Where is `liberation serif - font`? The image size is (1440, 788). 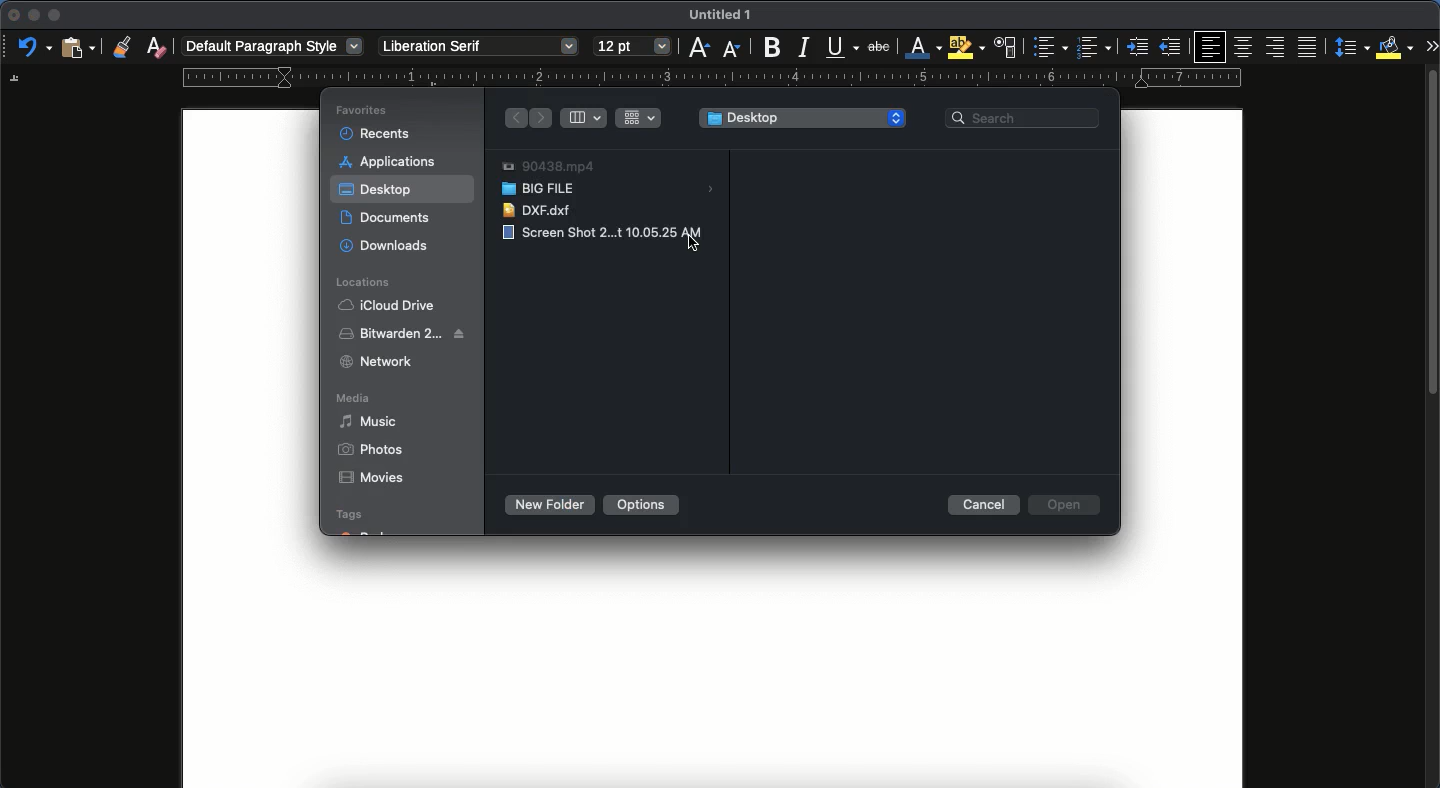
liberation serif - font is located at coordinates (477, 44).